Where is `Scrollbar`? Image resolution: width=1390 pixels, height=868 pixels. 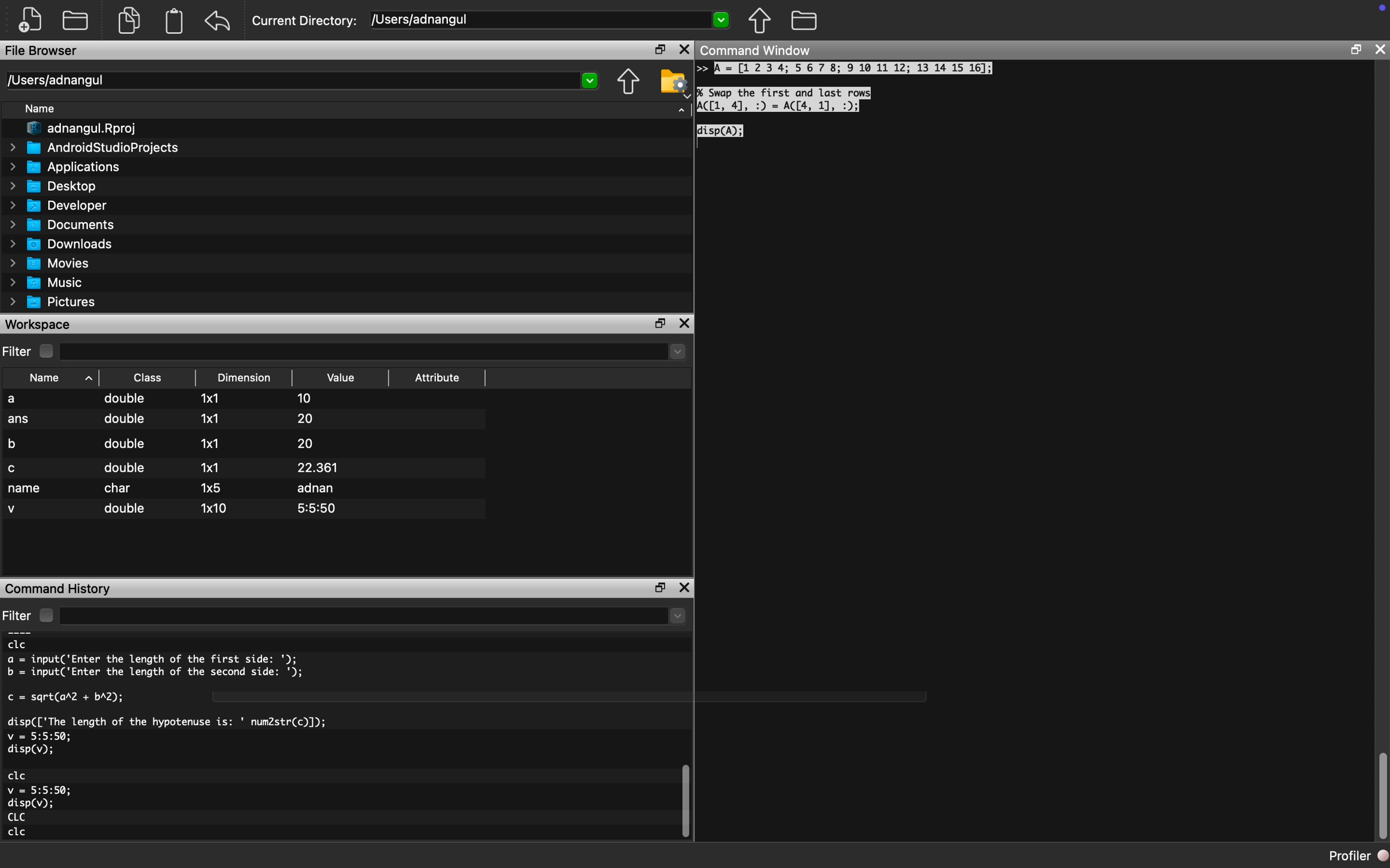
Scrollbar is located at coordinates (685, 804).